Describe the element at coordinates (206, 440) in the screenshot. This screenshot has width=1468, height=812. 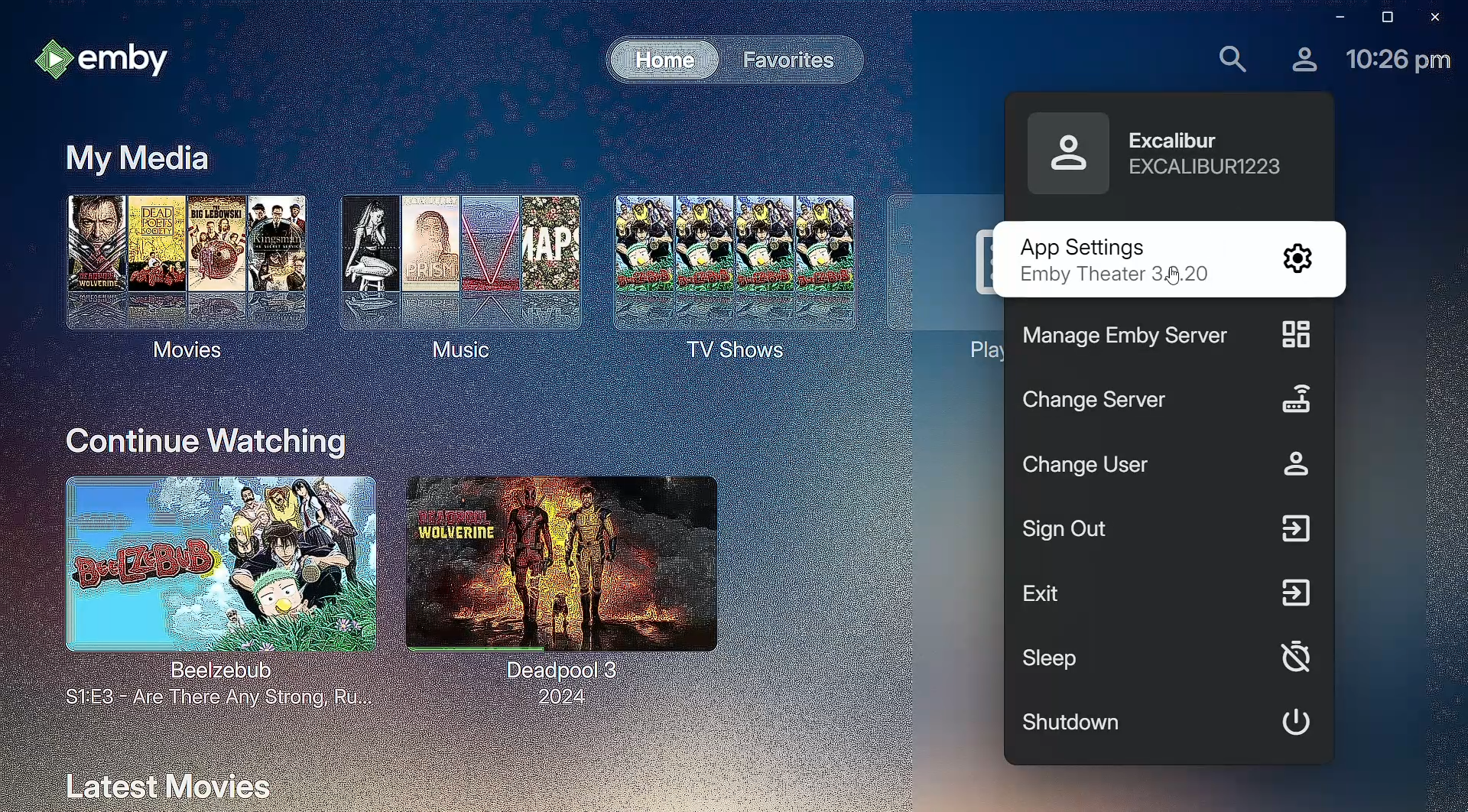
I see `Continue Watching` at that location.